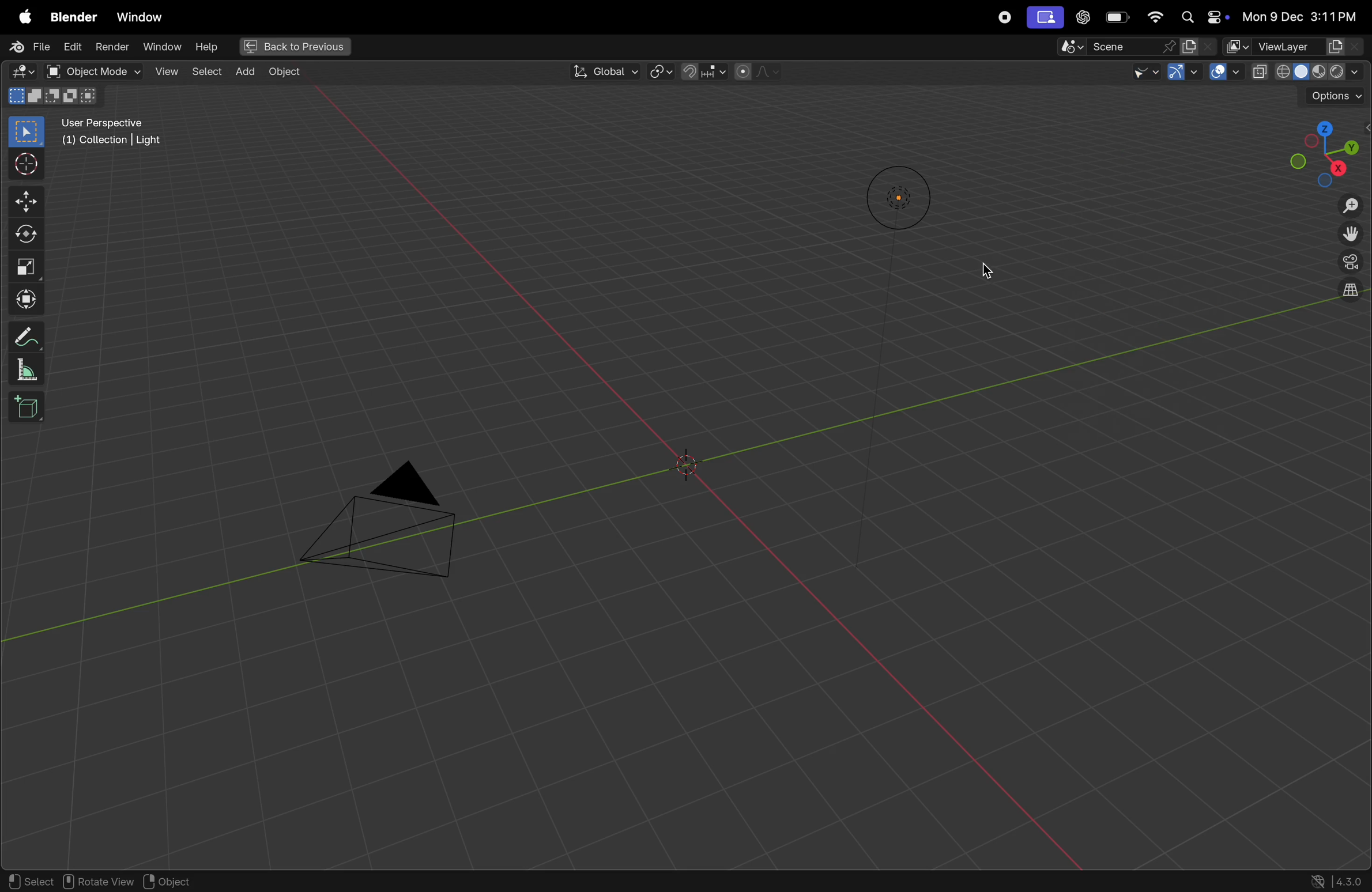 The height and width of the screenshot is (892, 1372). What do you see at coordinates (295, 47) in the screenshot?
I see `back to previous` at bounding box center [295, 47].